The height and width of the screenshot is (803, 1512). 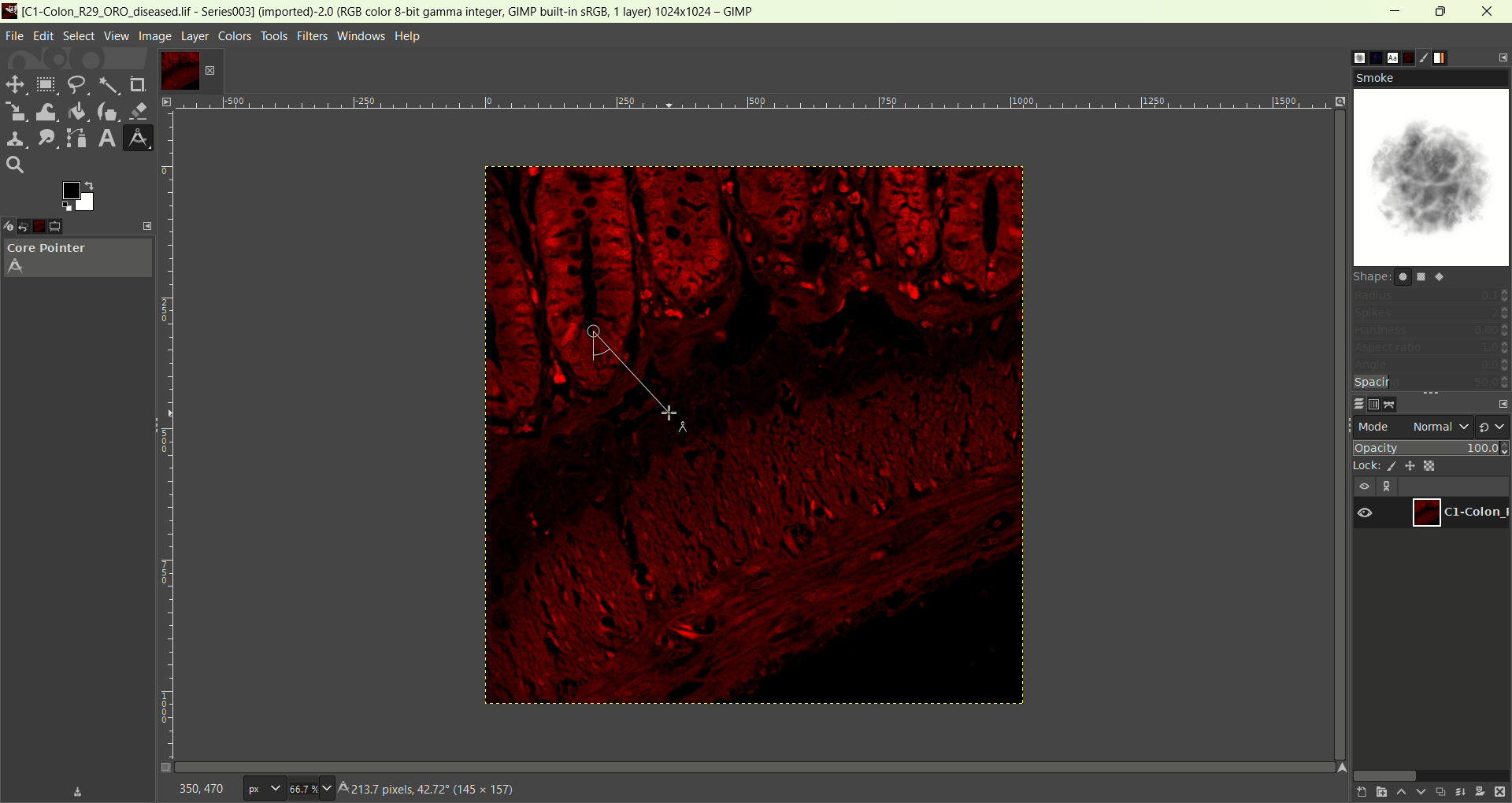 What do you see at coordinates (78, 260) in the screenshot?
I see `core pointer` at bounding box center [78, 260].